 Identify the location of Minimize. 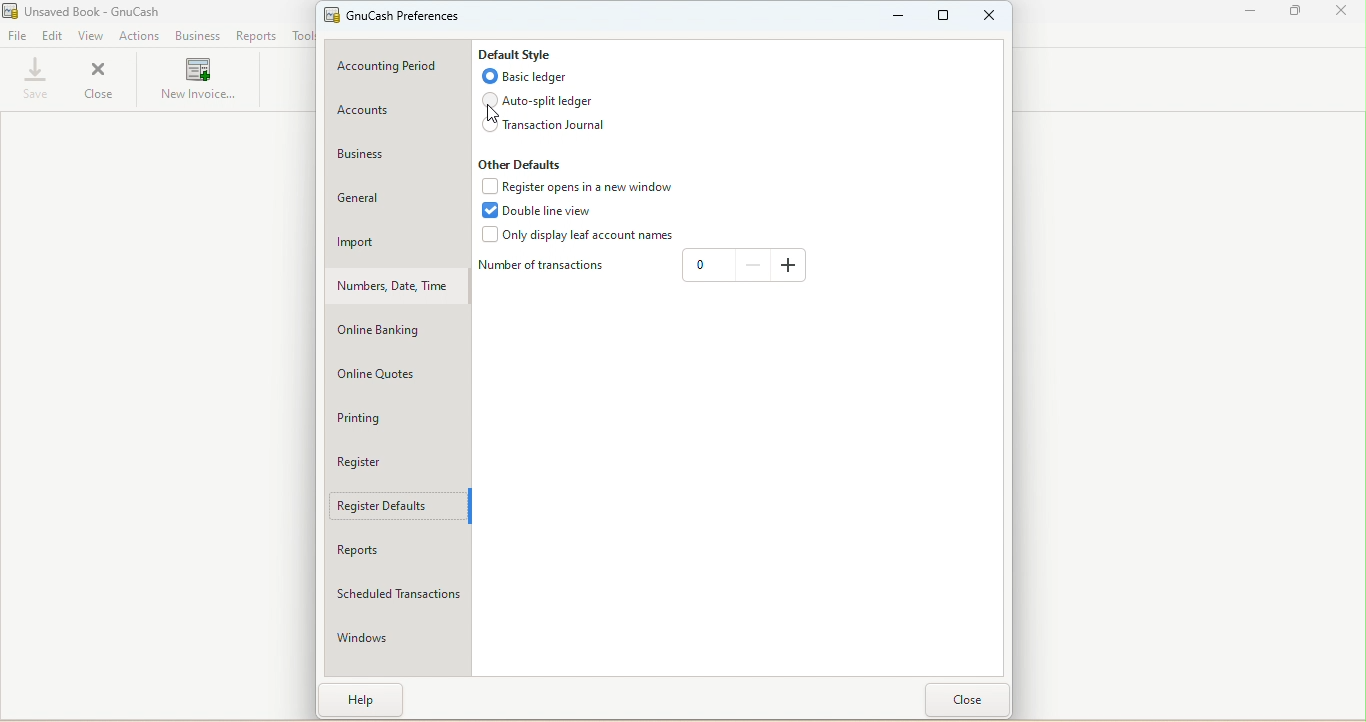
(1253, 12).